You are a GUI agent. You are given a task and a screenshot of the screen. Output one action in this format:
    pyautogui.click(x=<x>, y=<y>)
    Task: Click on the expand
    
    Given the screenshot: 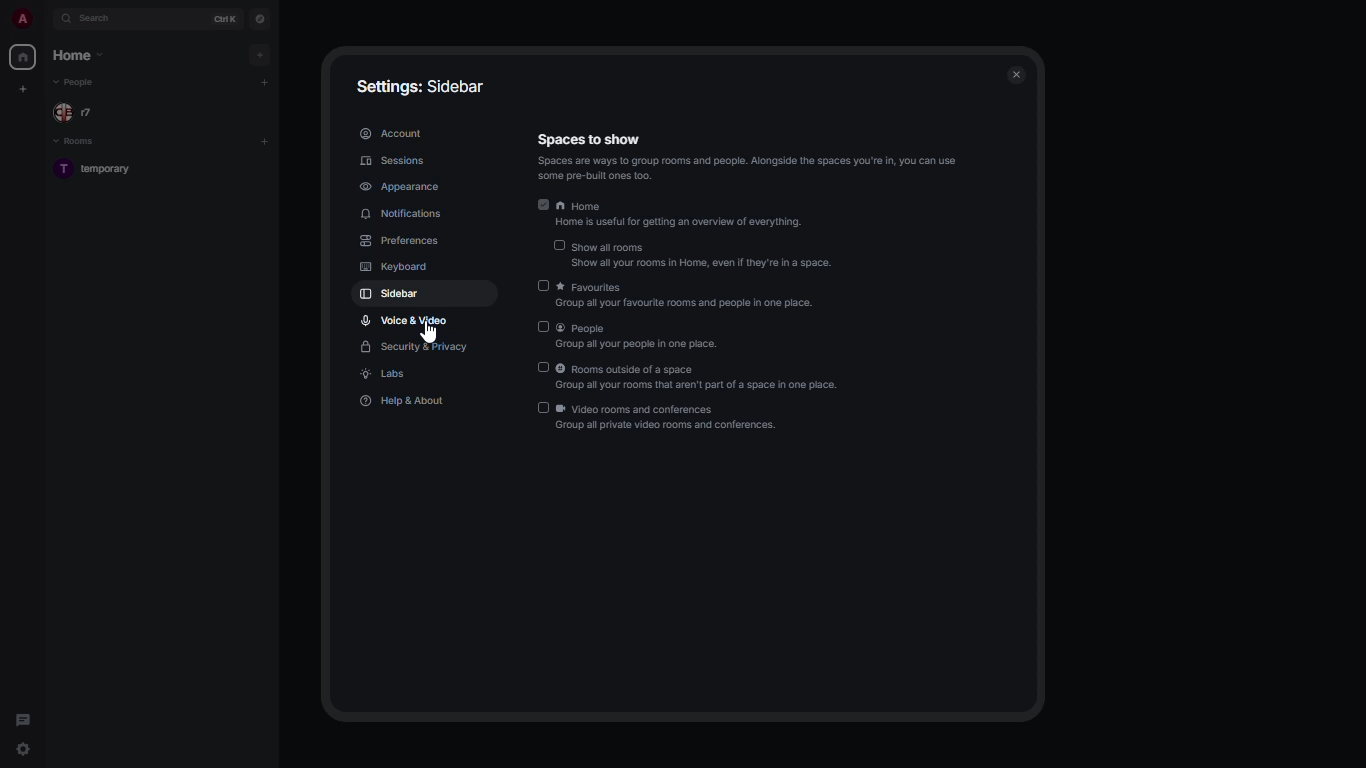 What is the action you would take?
    pyautogui.click(x=45, y=20)
    